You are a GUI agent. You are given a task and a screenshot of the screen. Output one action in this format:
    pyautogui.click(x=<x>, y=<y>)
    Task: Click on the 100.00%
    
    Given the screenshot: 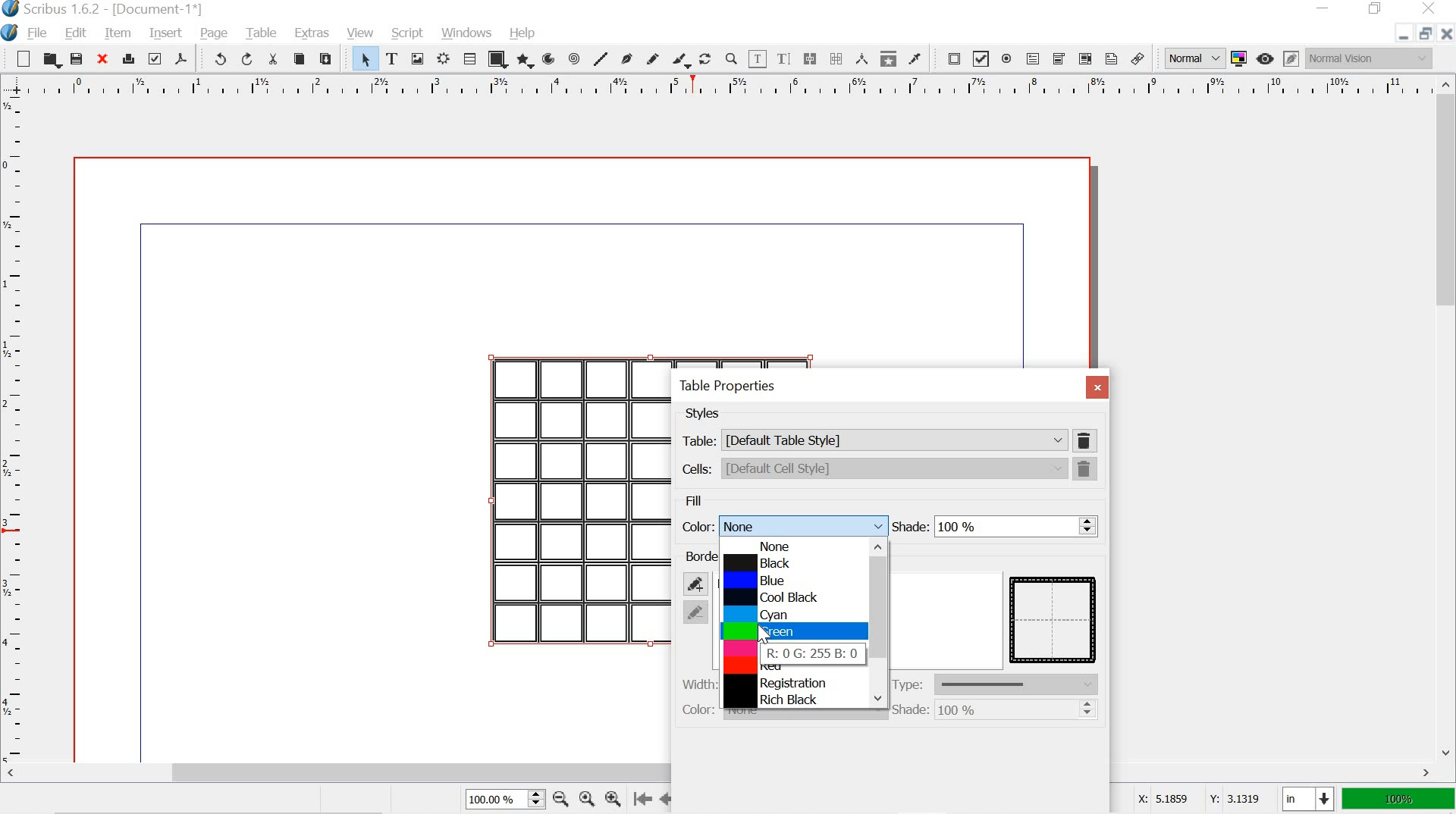 What is the action you would take?
    pyautogui.click(x=488, y=801)
    